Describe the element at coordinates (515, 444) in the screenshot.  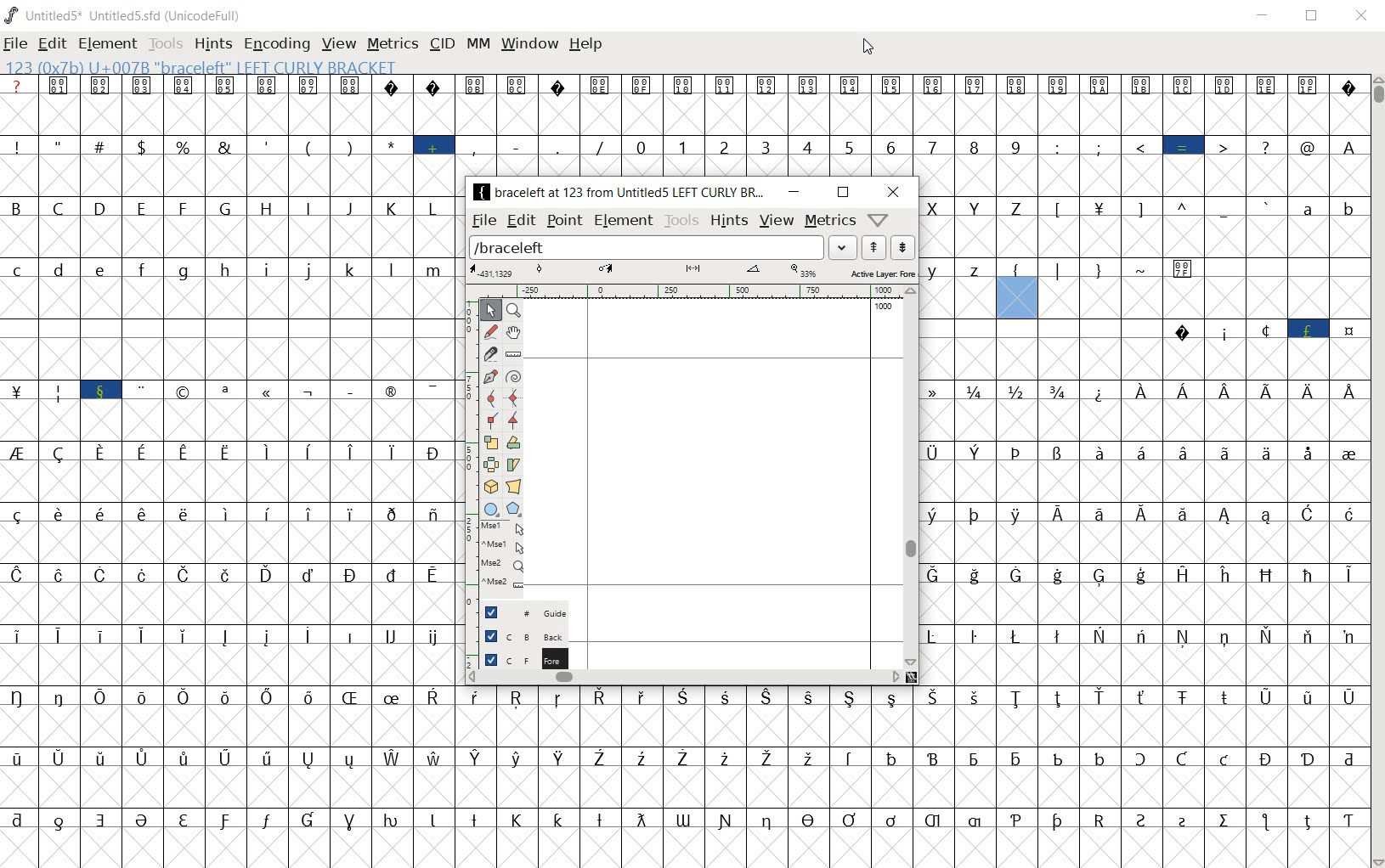
I see `flip the selection` at that location.